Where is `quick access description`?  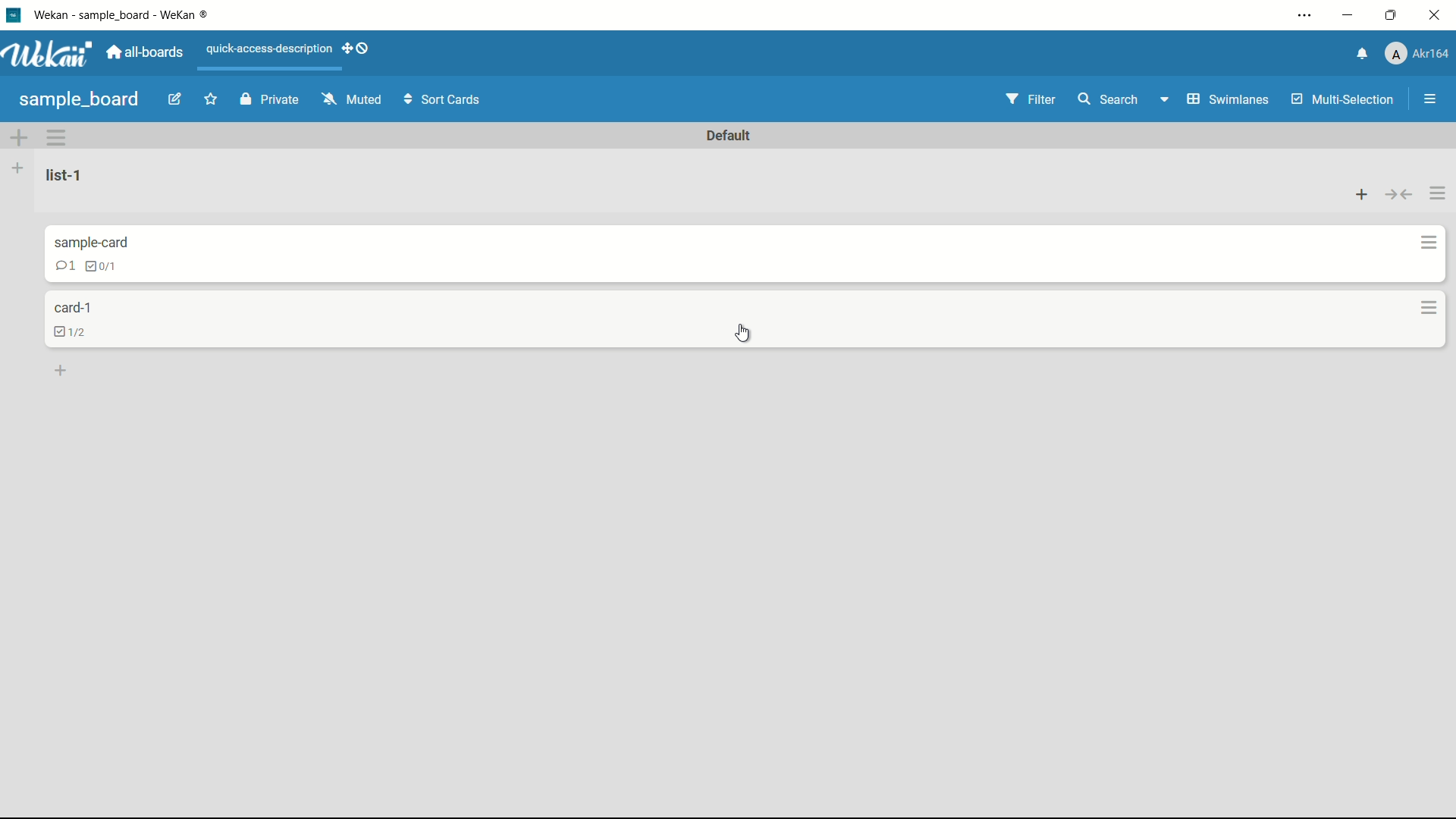 quick access description is located at coordinates (292, 51).